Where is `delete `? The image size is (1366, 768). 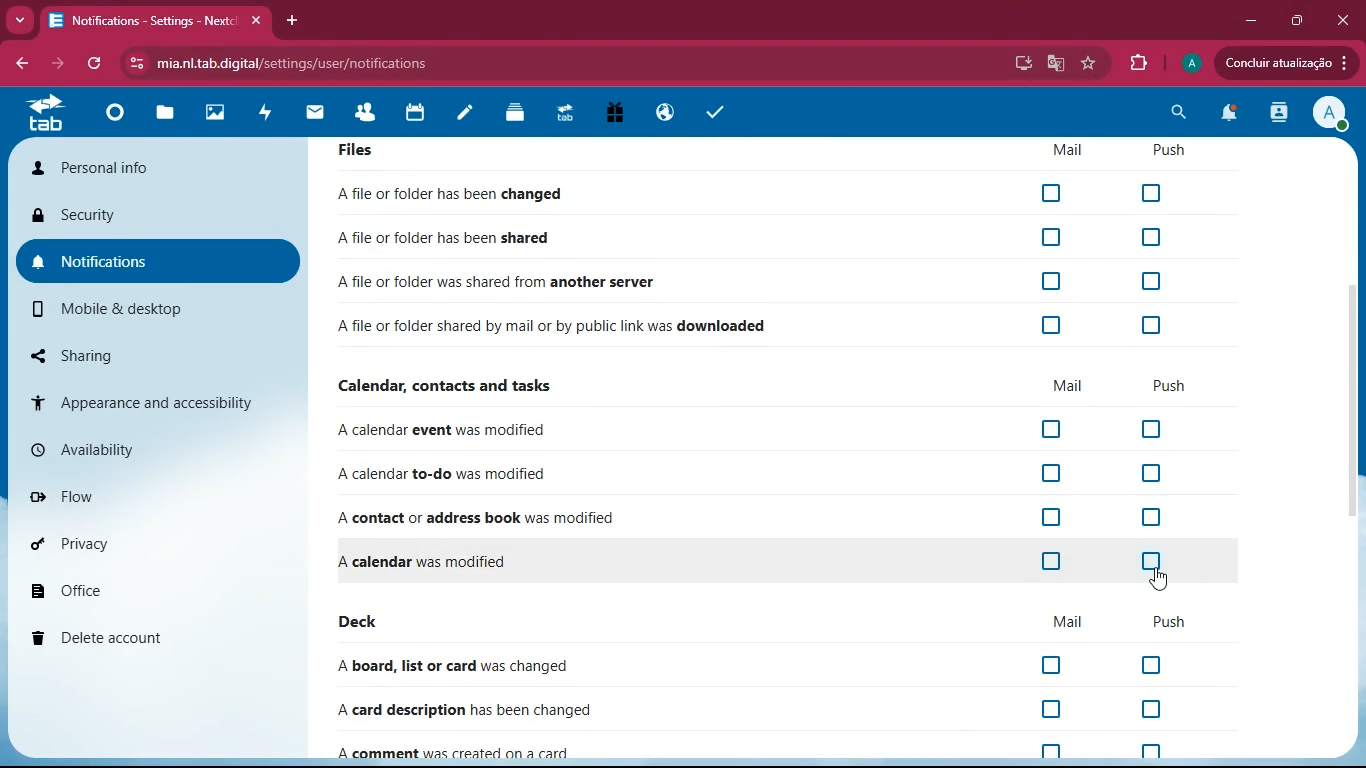
delete  is located at coordinates (137, 632).